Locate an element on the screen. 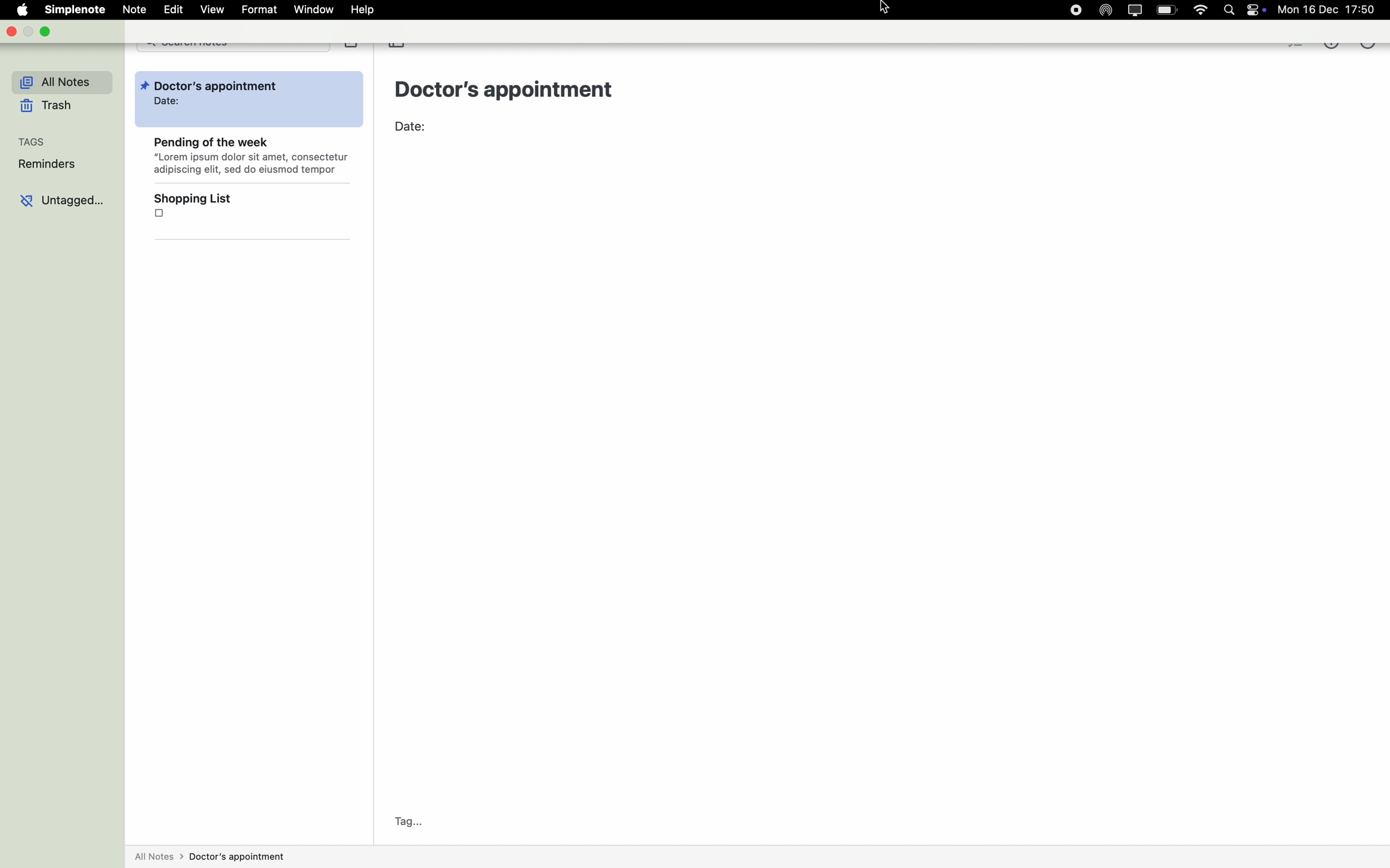 This screenshot has height=868, width=1390. maximize is located at coordinates (44, 31).